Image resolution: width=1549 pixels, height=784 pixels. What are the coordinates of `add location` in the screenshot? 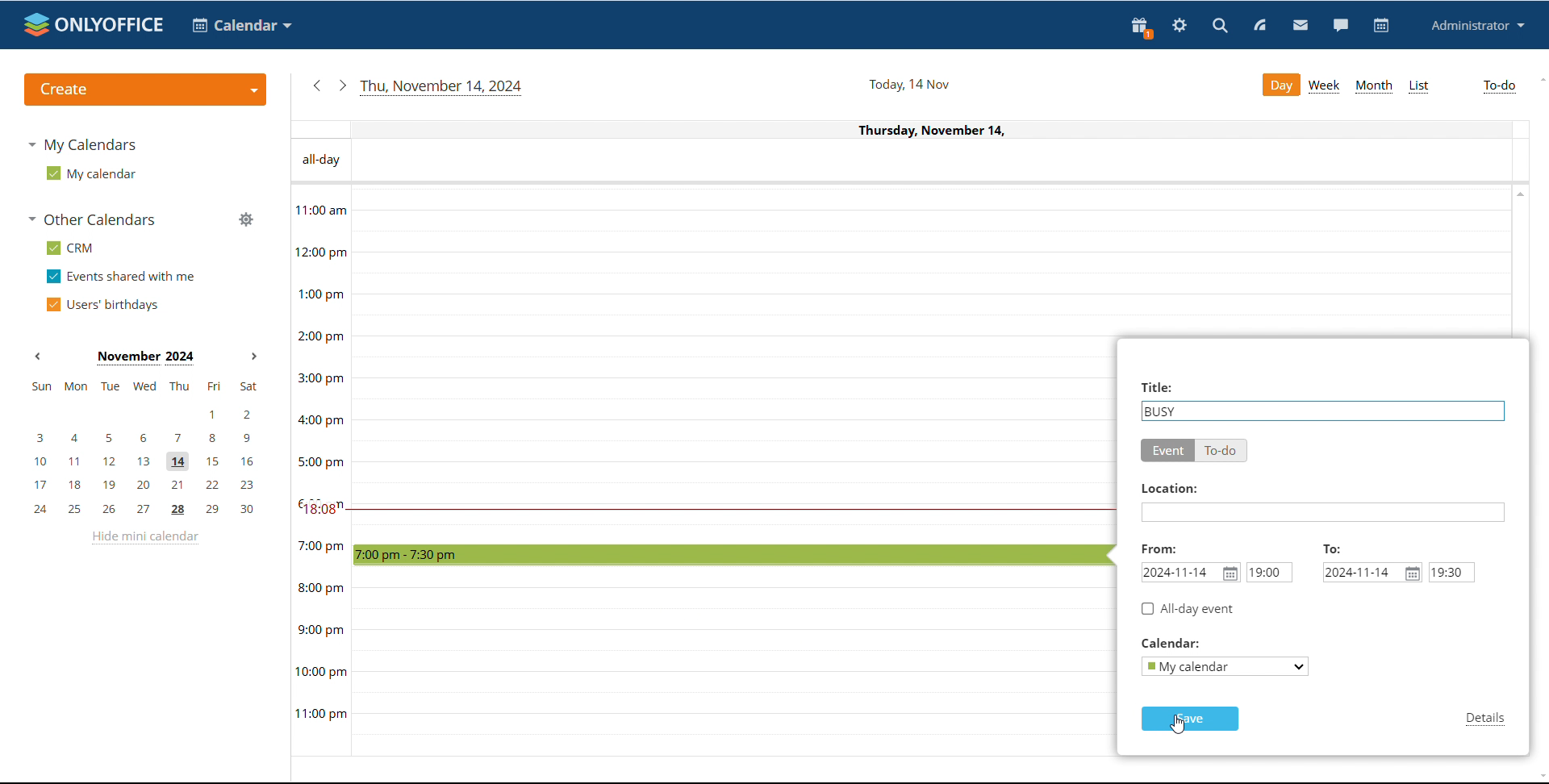 It's located at (1324, 512).